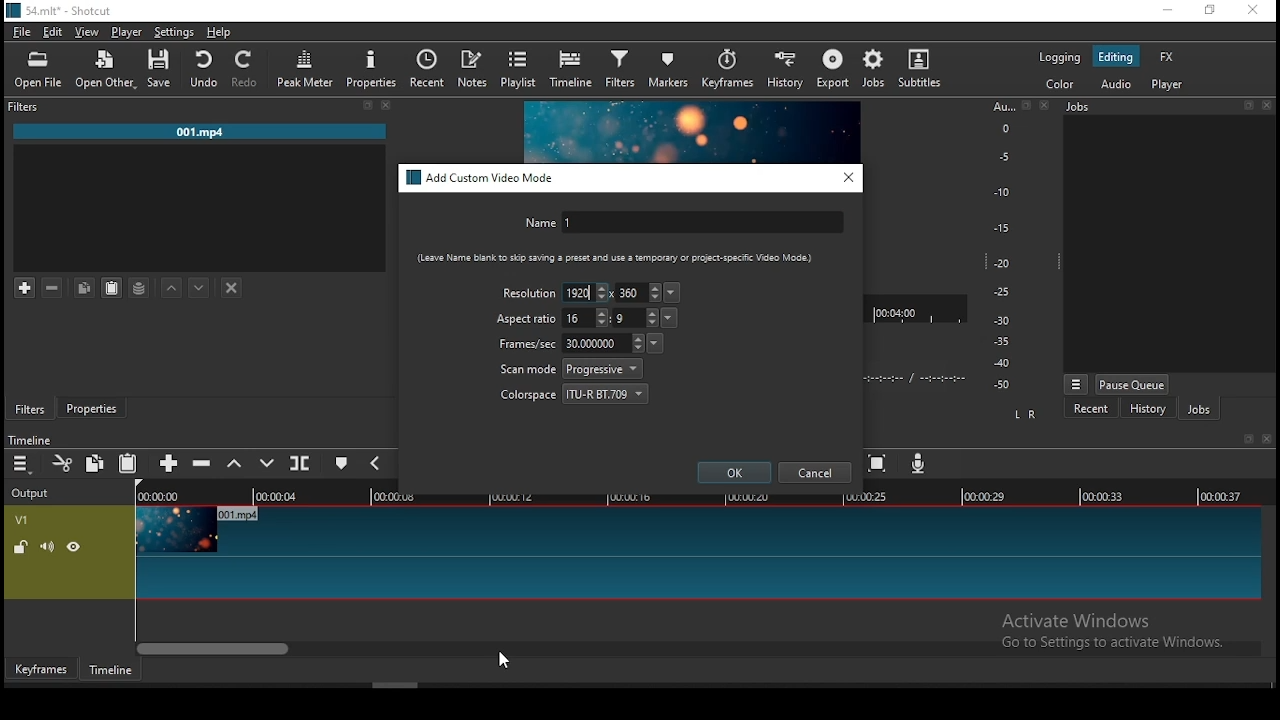  Describe the element at coordinates (746, 495) in the screenshot. I see `00:00:20` at that location.